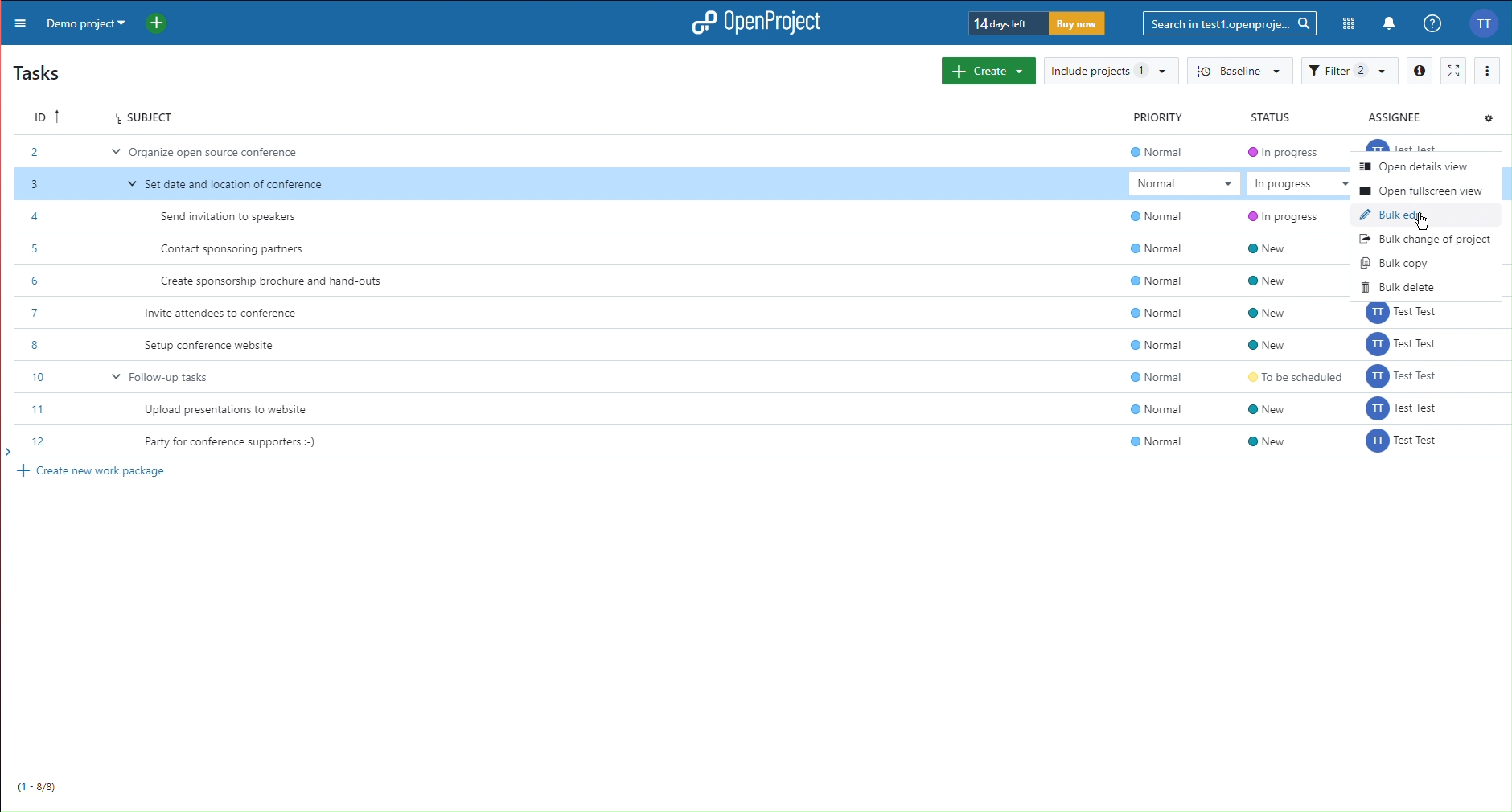  What do you see at coordinates (213, 154) in the screenshot?
I see `‘Organize open source conference` at bounding box center [213, 154].